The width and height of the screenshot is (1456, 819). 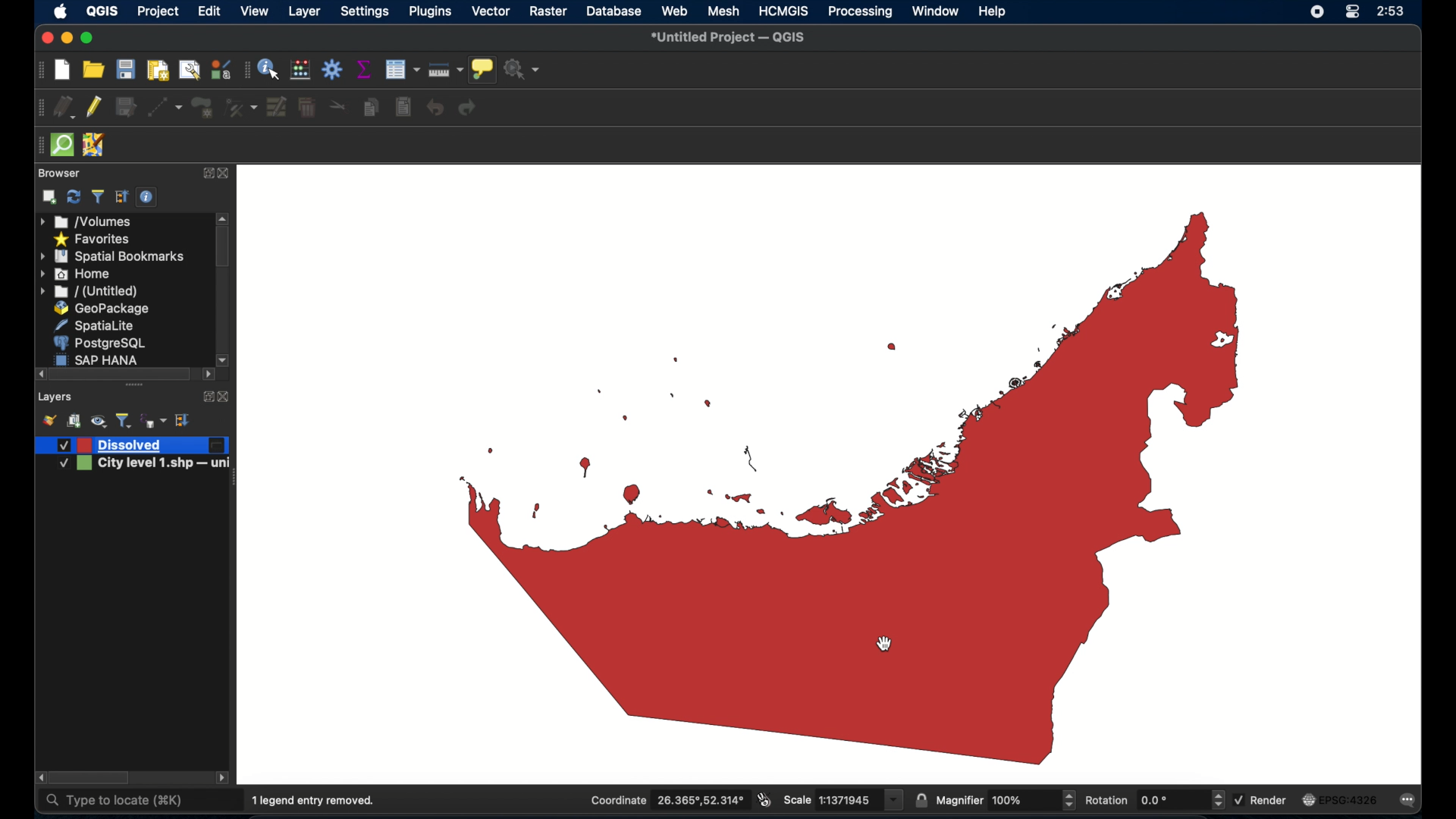 What do you see at coordinates (219, 69) in the screenshot?
I see `style manager` at bounding box center [219, 69].